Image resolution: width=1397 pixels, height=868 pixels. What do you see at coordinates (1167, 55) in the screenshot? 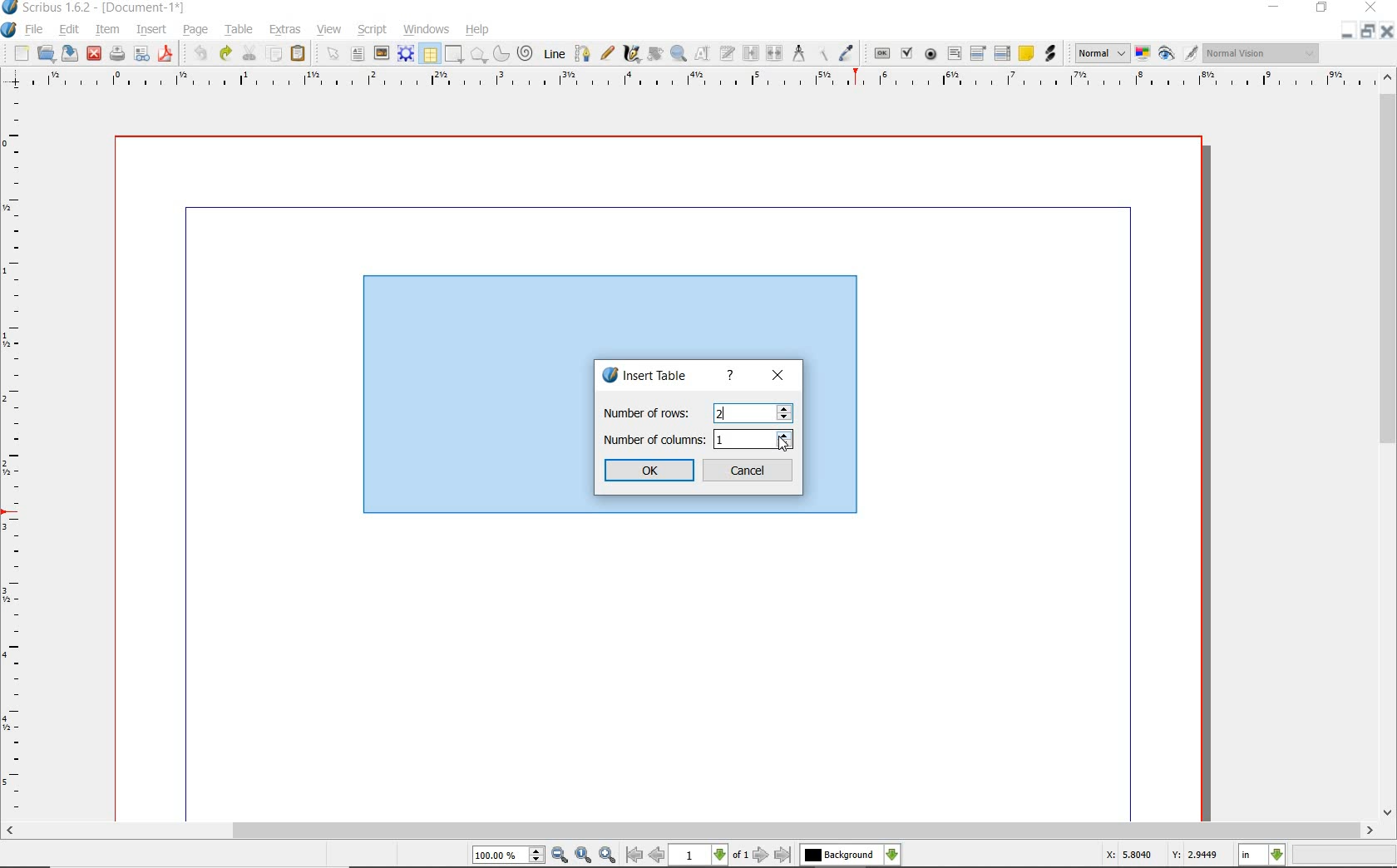
I see `preview mode` at bounding box center [1167, 55].